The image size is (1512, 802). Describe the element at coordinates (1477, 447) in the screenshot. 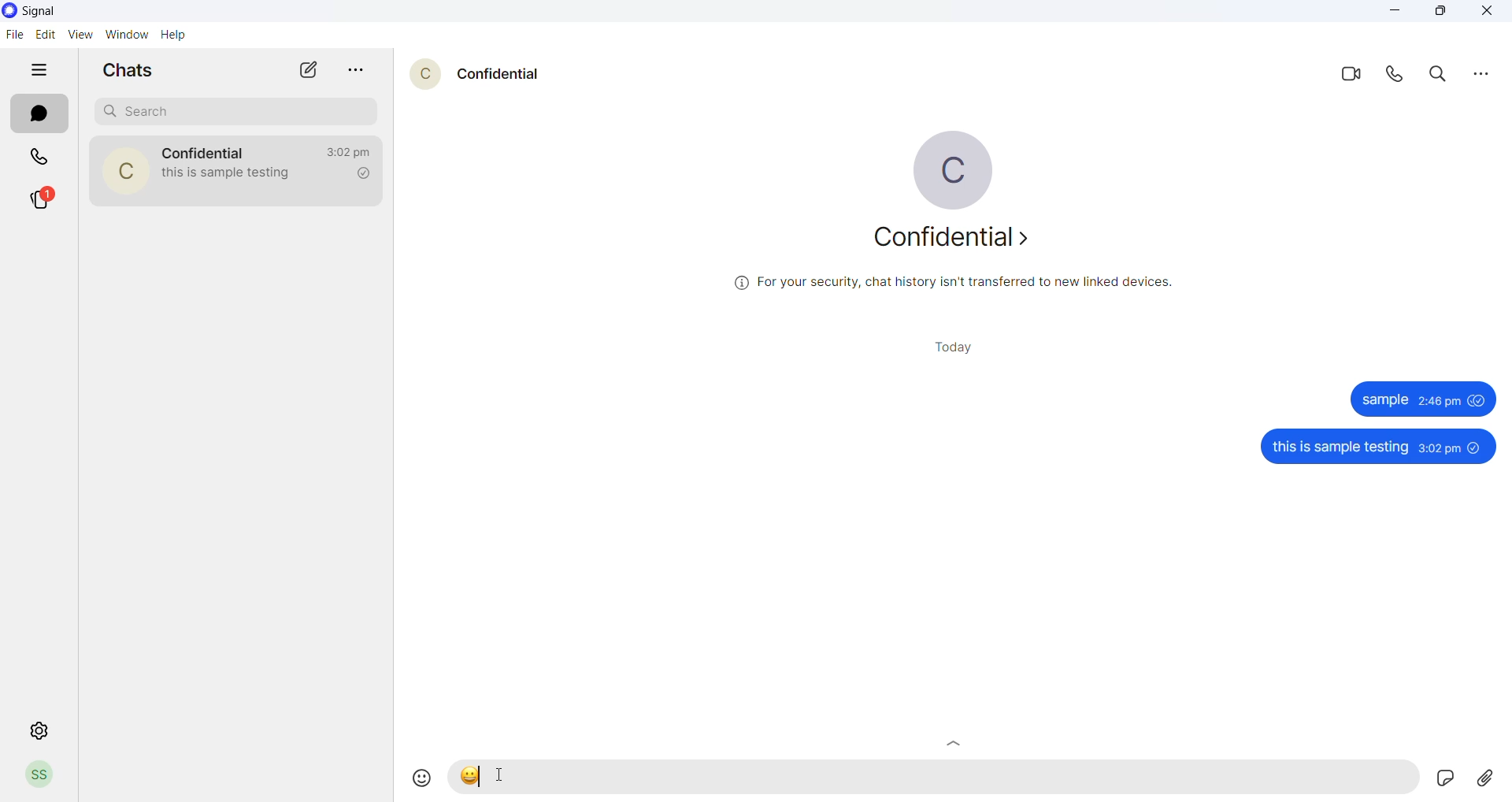

I see `unseen` at that location.